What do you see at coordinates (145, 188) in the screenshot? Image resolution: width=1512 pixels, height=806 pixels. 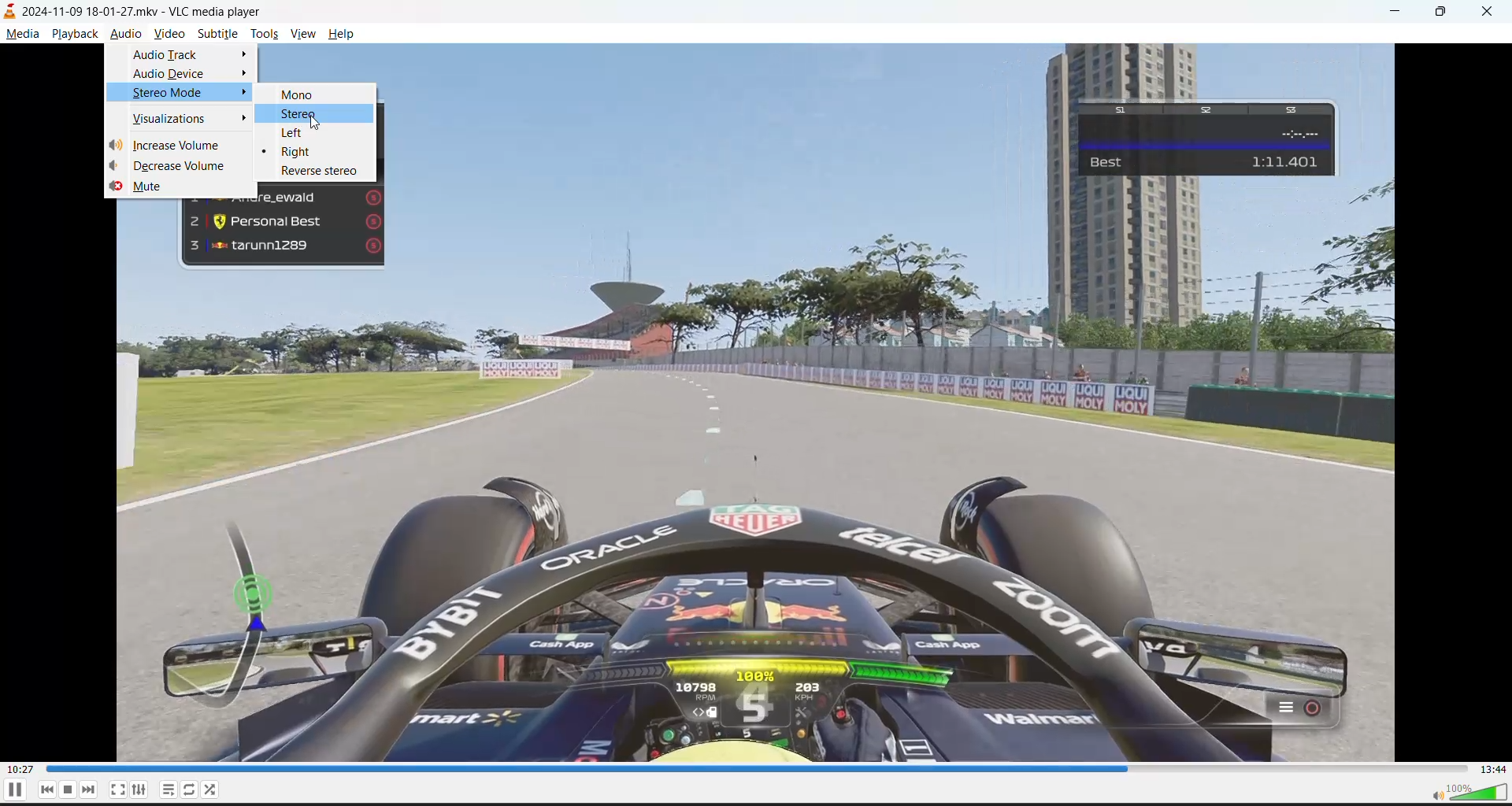 I see `mute` at bounding box center [145, 188].